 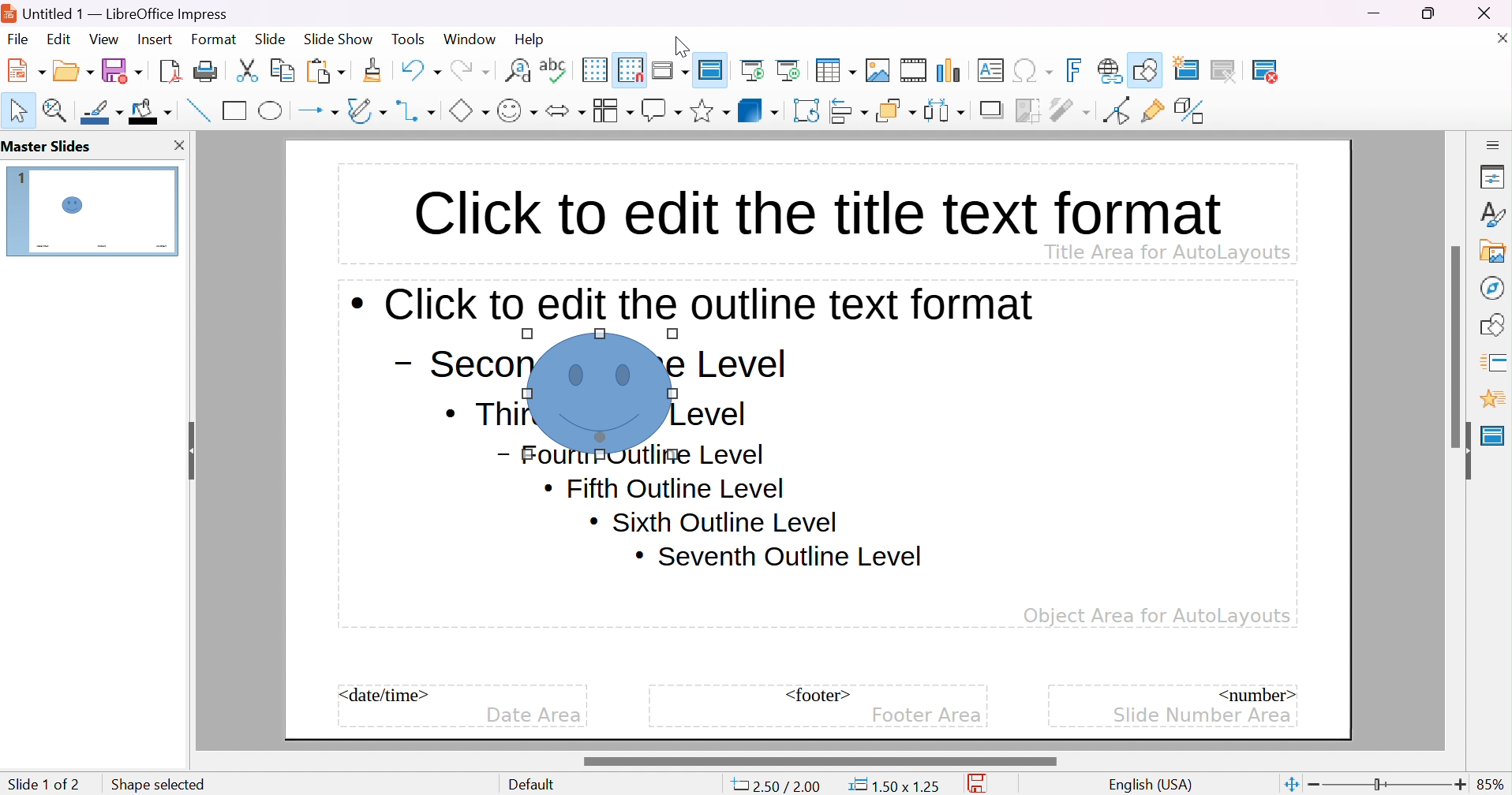 I want to click on seventh outline level, so click(x=780, y=557).